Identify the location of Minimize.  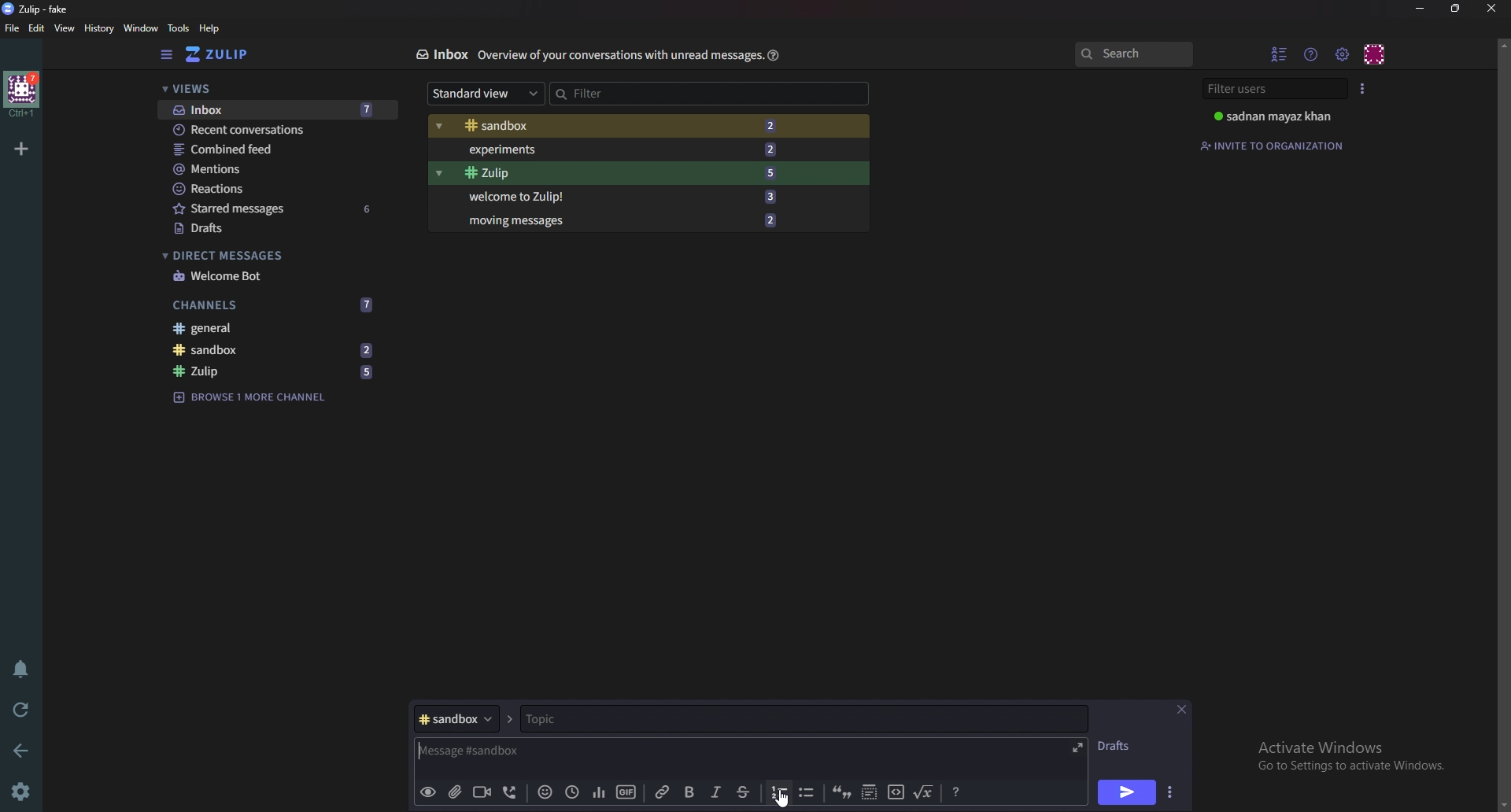
(1421, 8).